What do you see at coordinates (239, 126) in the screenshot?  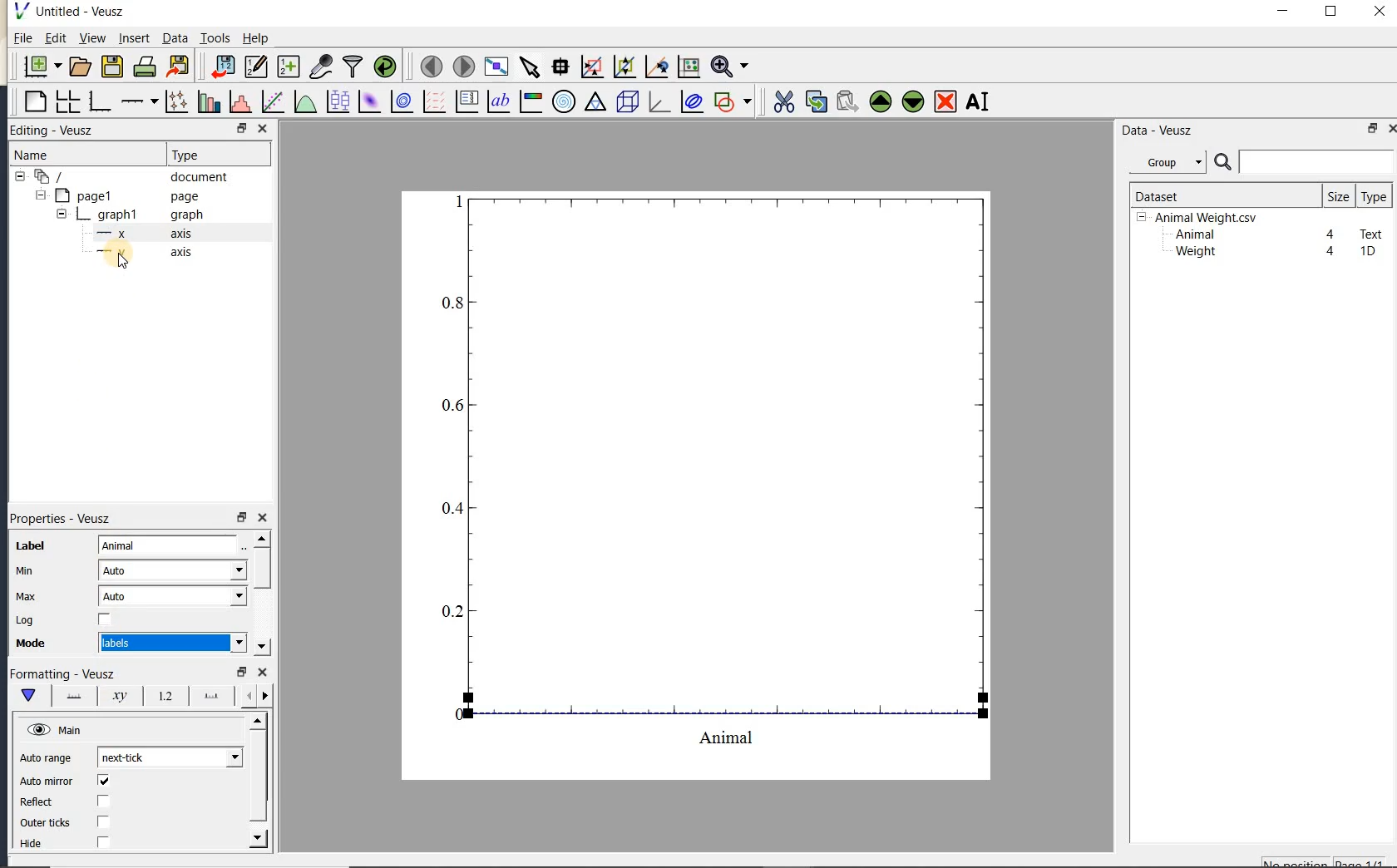 I see `RESTORE` at bounding box center [239, 126].